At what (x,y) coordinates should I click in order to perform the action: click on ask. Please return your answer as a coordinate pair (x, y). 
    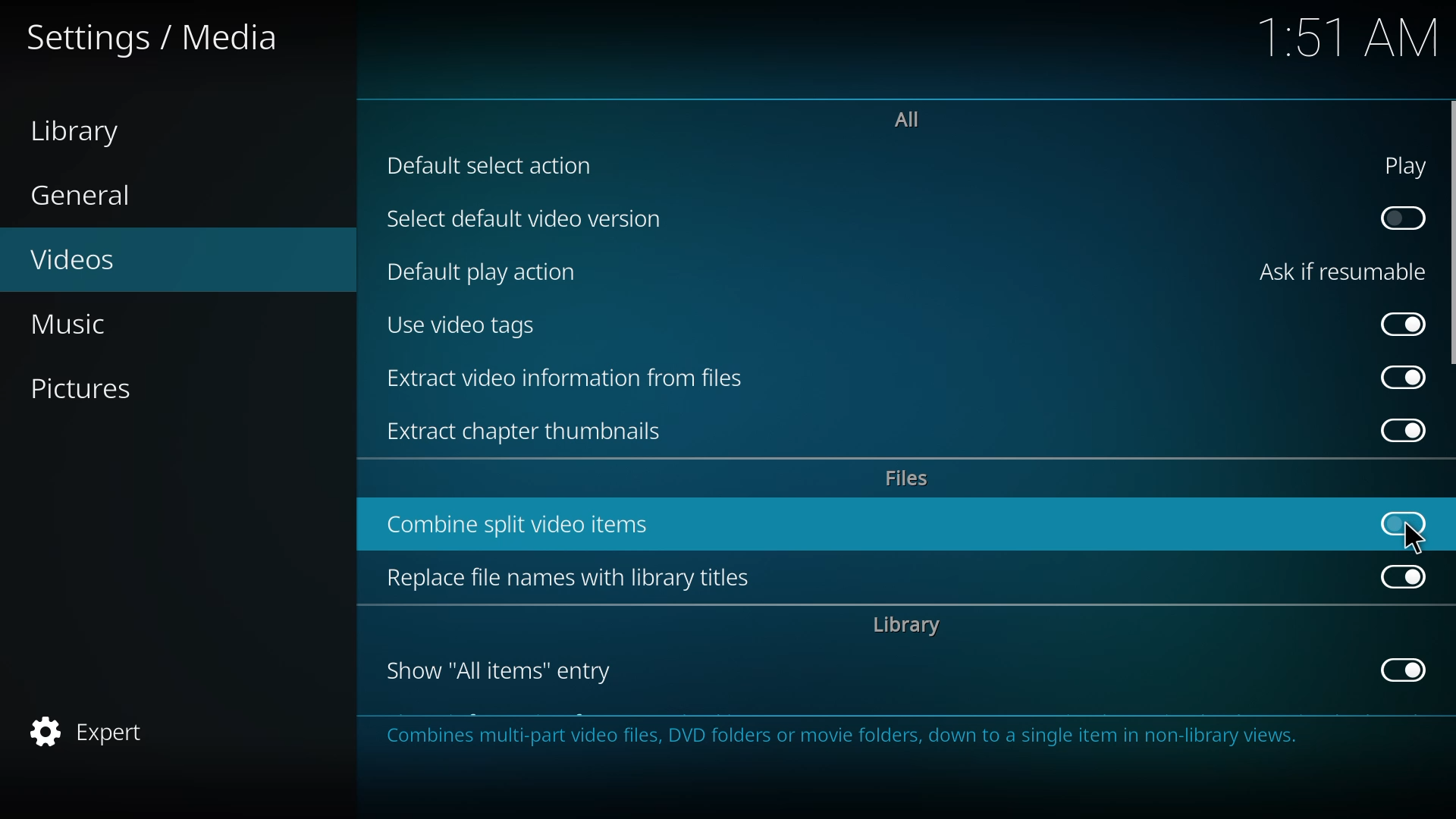
    Looking at the image, I should click on (1336, 272).